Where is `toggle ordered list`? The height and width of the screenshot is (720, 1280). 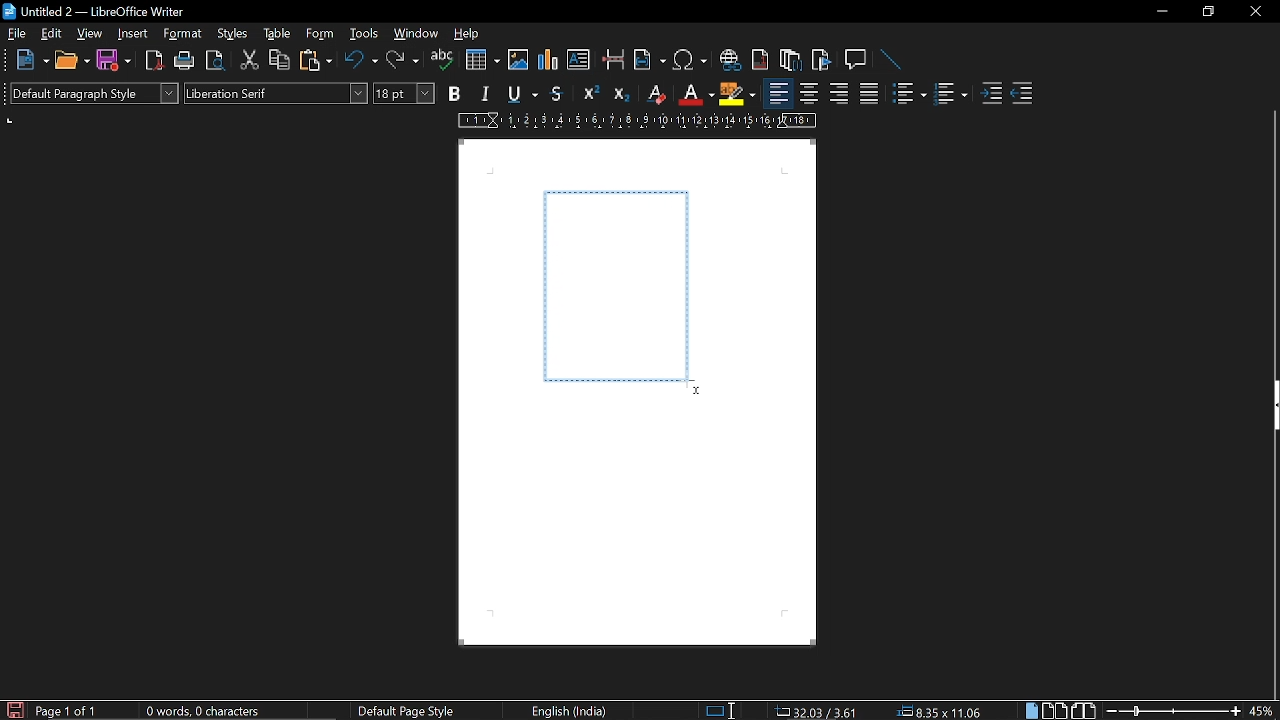
toggle ordered list is located at coordinates (950, 95).